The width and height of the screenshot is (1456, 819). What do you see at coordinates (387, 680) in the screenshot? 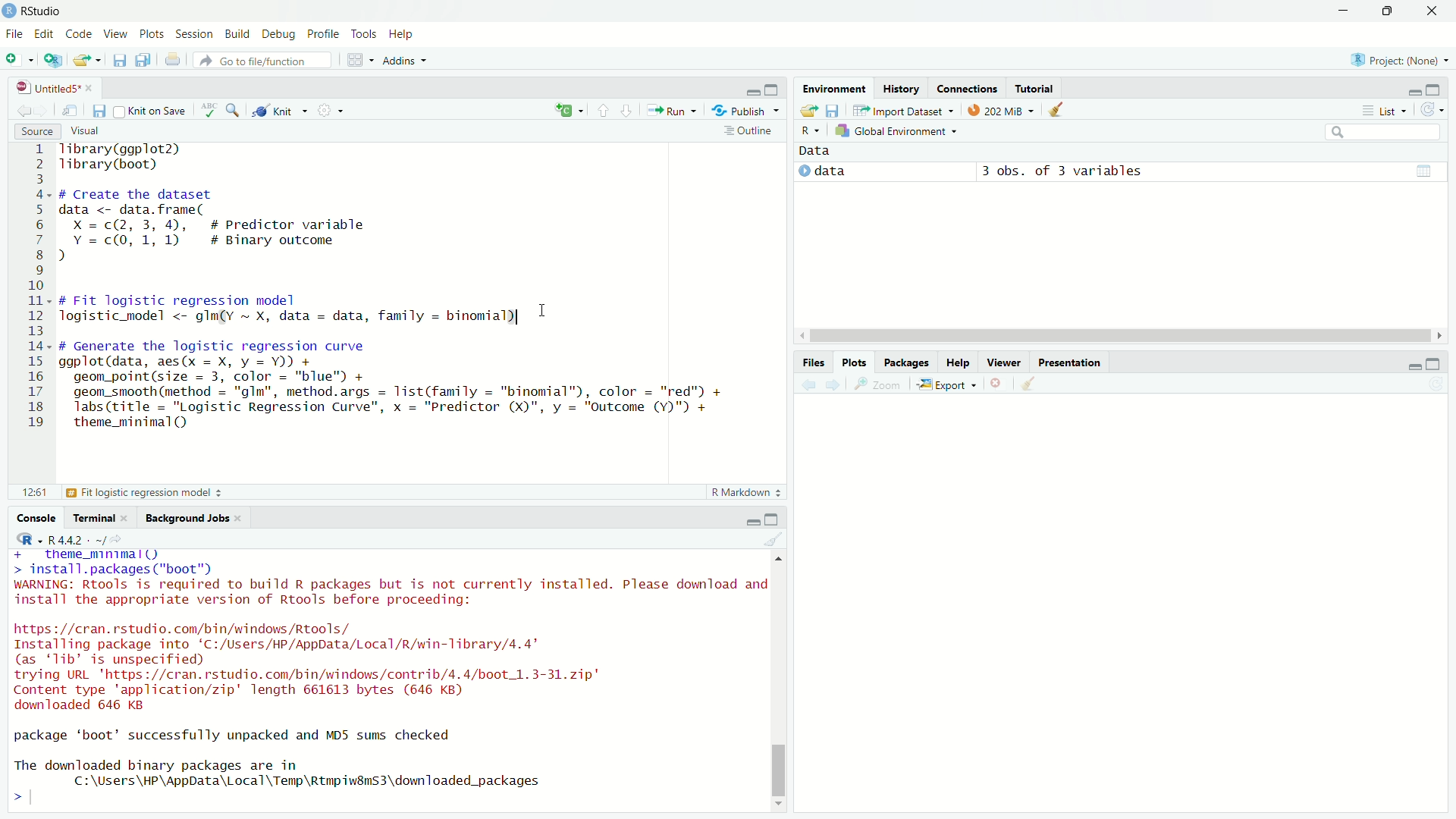
I see `+ theme_minimal()

> install.packages ("boot")

WARNING: Rtools is required to build R packages but is not currently installed. Please download anc

install the appropriate version of Rtools before proceeding:

https://cran.rstudio.com/bin/windows /Rtools/

Installing package into ‘C:/Users/HP/AppData/Local/R/win-library/4.4’

(as ‘1ib’ is unspecified)

trying URL 'https://cran.rstudio.com/bin/windows/contrib/4.4/boot_1.3-31.zip"

Content type 'application/zip' length 661613 bytes (646 KB)

downloaded 646 KB

package ‘boot’ successfully unpacked and MDS sums checked

The downloaded binary packages are in
C:\Users\HP\AppData\Local\Temp\Rtmpiw8mS3\downloaded_packages

>` at bounding box center [387, 680].